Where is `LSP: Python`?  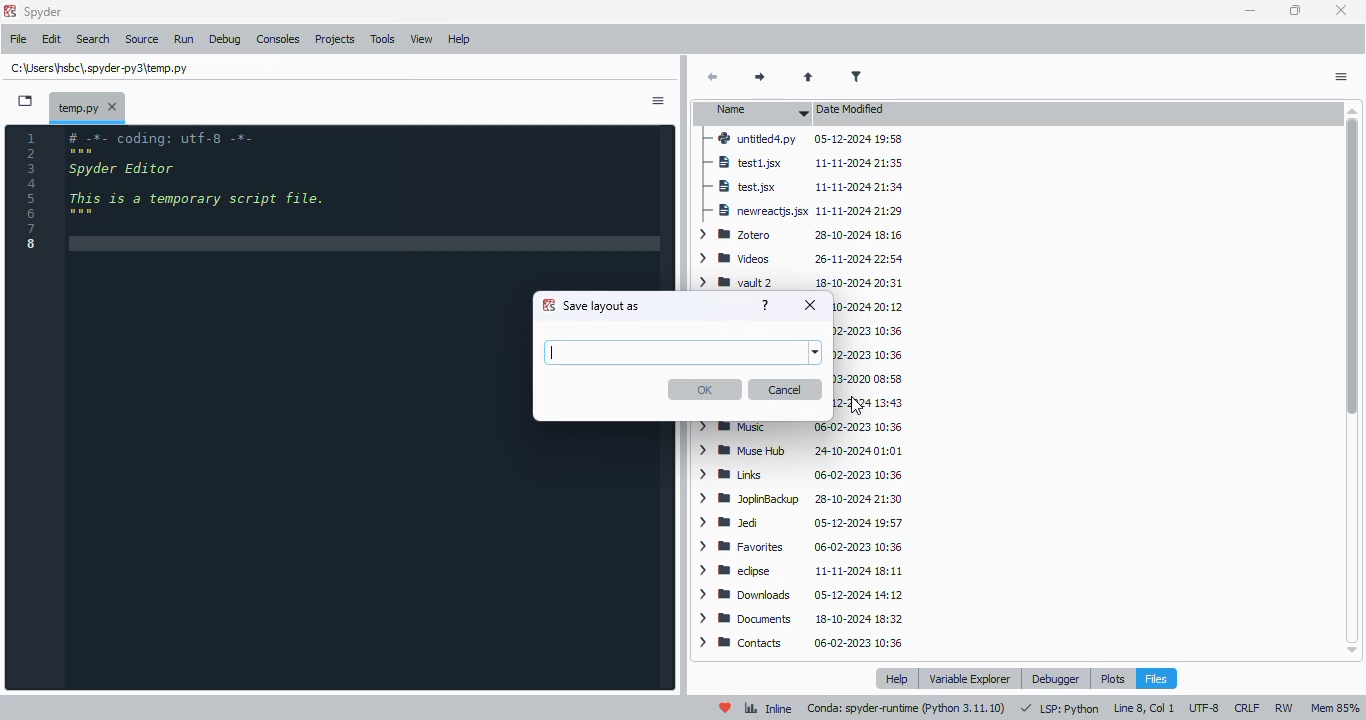 LSP: Python is located at coordinates (1060, 708).